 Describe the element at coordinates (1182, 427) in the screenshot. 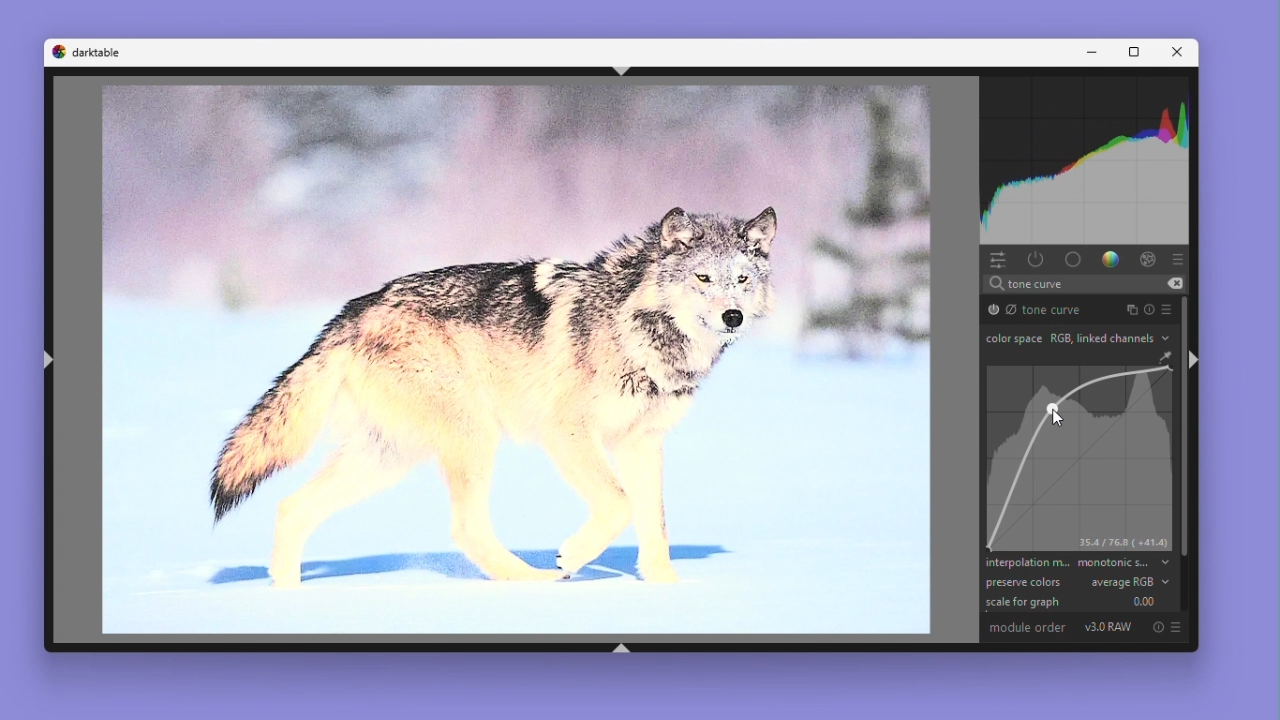

I see `Vertical scrollbar` at that location.